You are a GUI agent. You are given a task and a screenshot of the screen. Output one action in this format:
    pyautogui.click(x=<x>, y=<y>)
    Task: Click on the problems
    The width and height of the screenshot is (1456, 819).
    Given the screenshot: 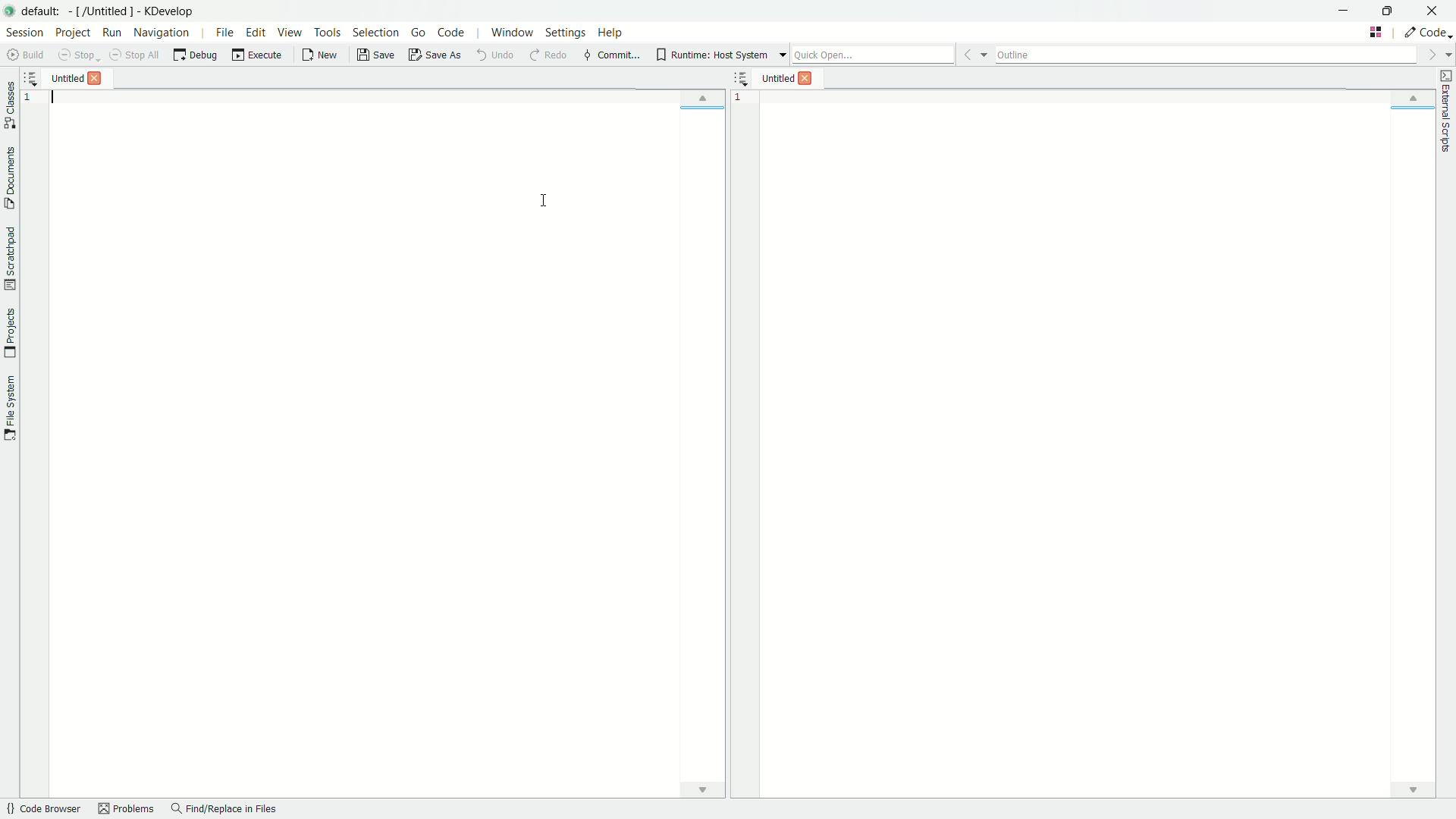 What is the action you would take?
    pyautogui.click(x=124, y=810)
    